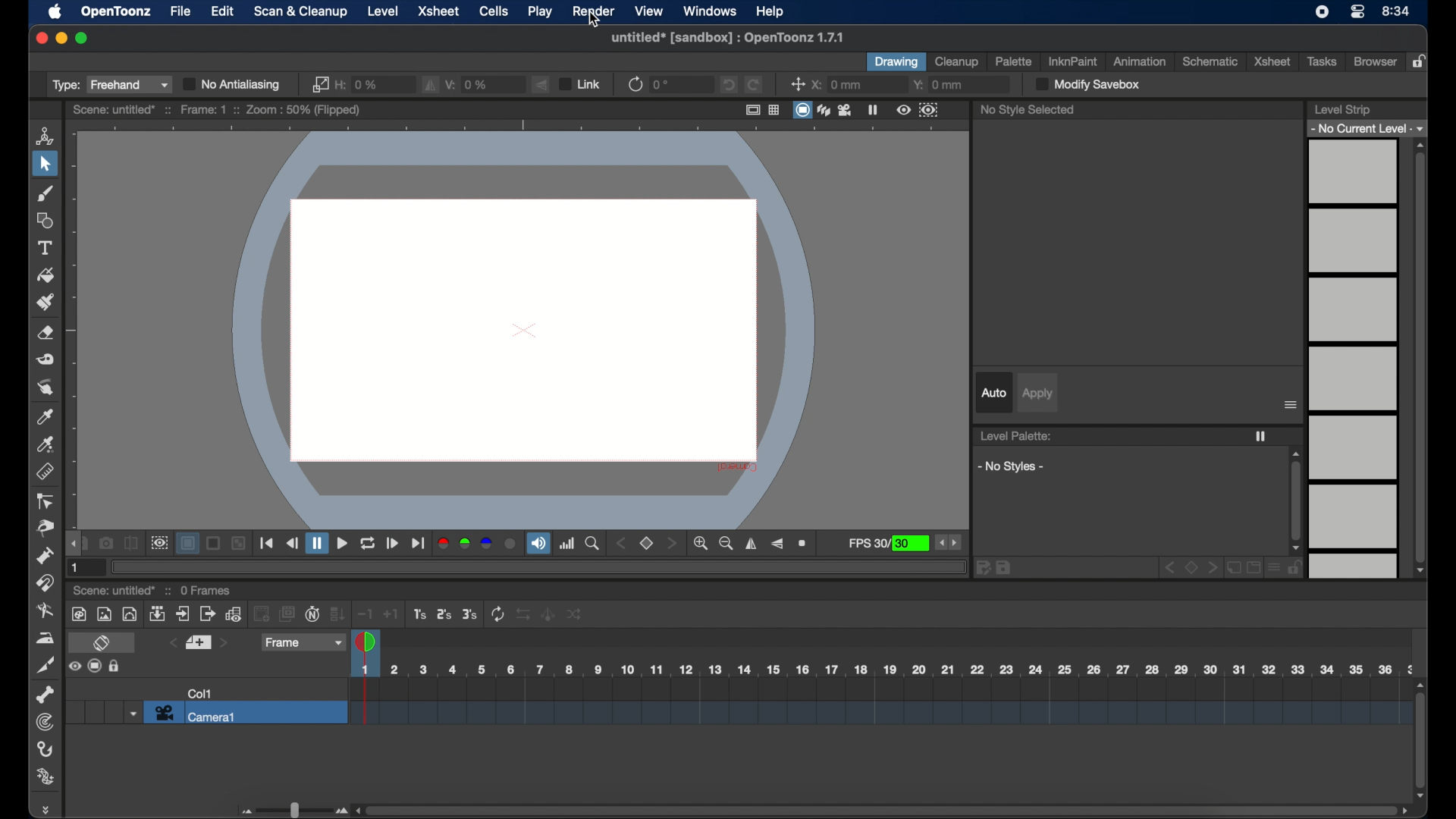 The height and width of the screenshot is (819, 1456). I want to click on flip vertically, so click(777, 544).